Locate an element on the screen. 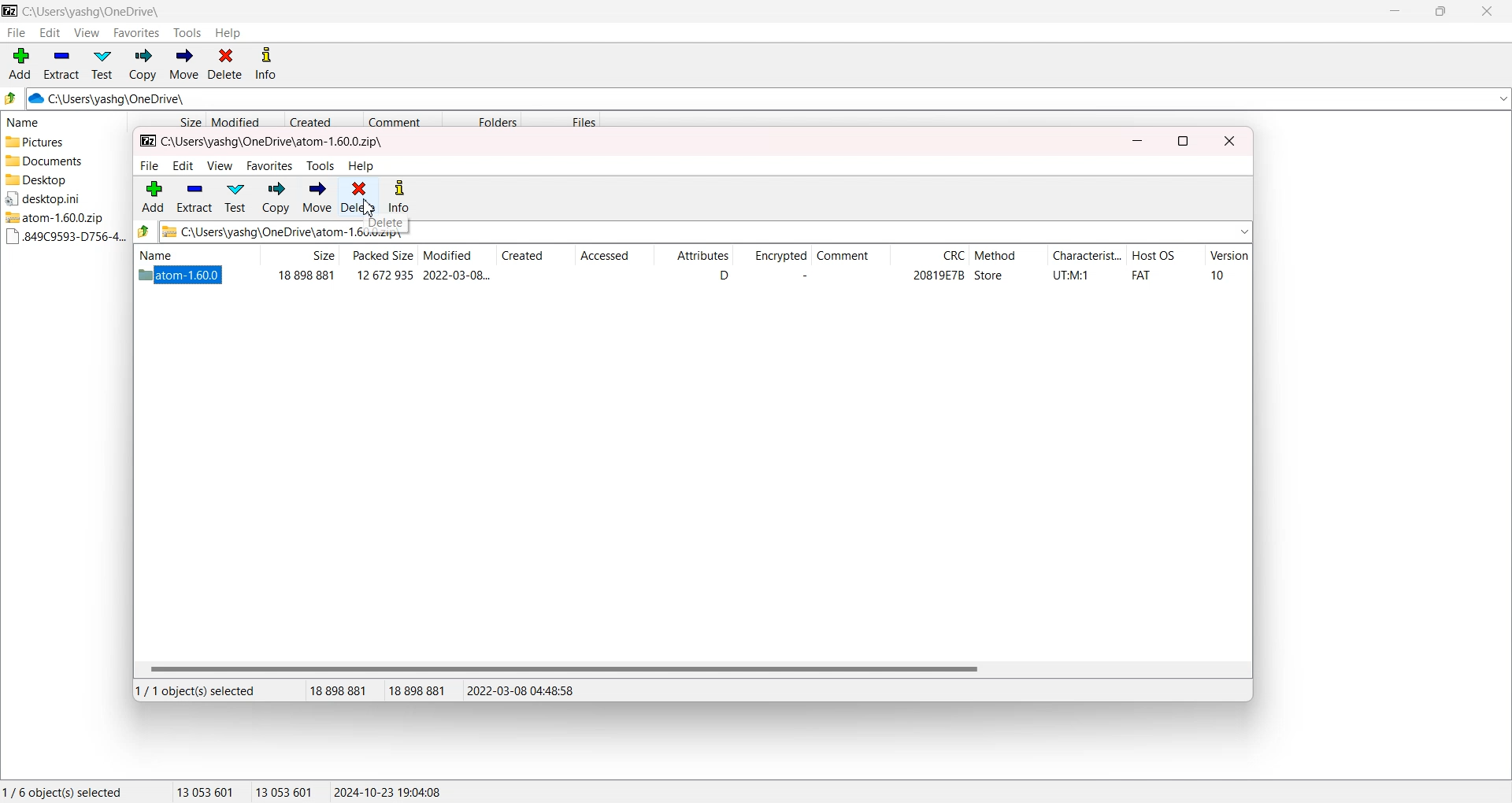 The width and height of the screenshot is (1512, 803). Logo is located at coordinates (10, 10).